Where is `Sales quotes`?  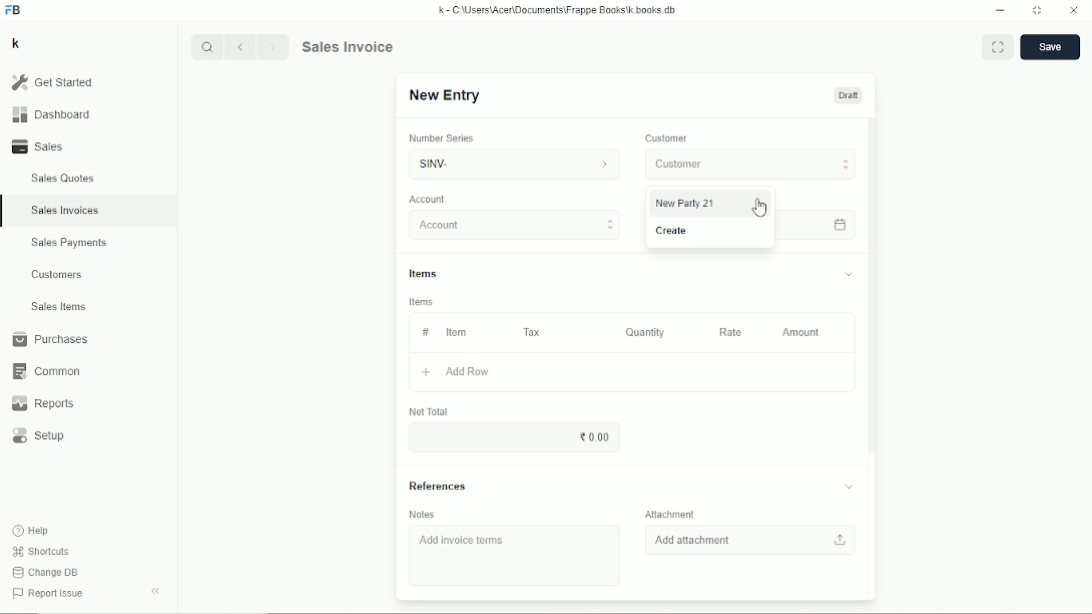
Sales quotes is located at coordinates (61, 178).